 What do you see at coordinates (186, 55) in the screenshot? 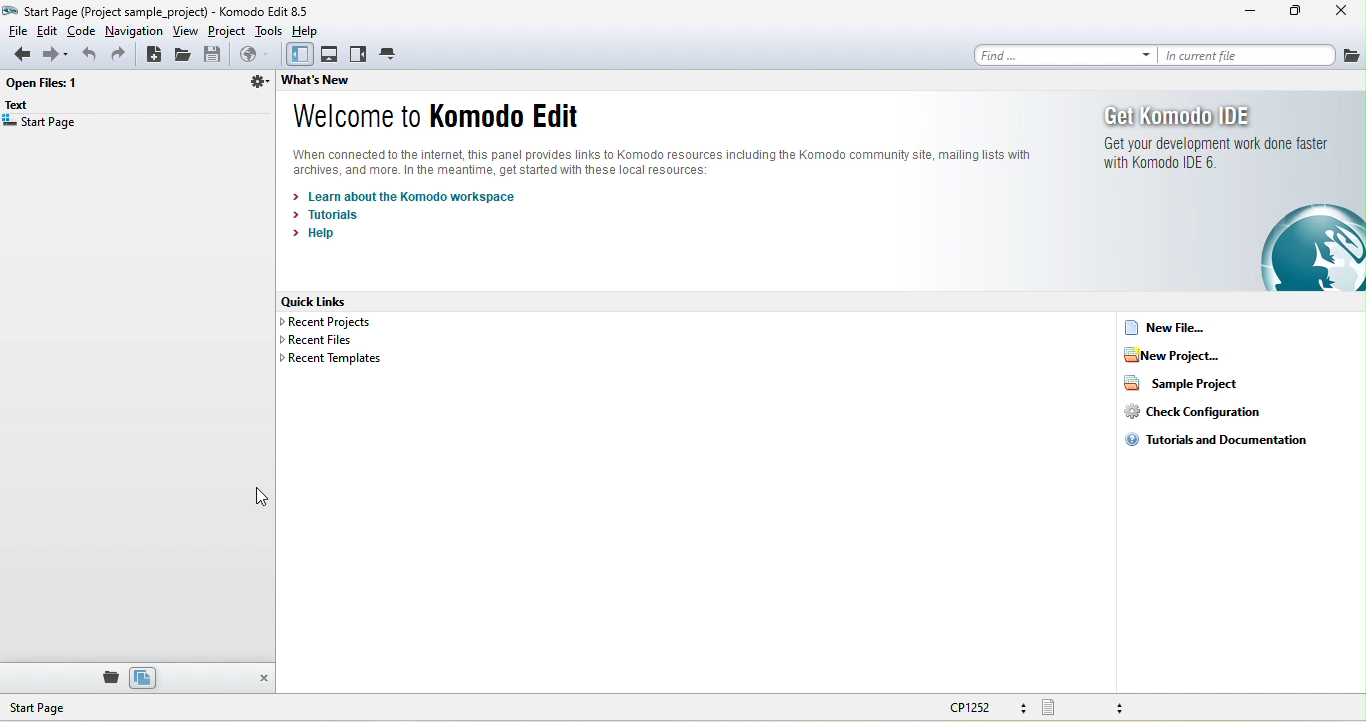
I see `open` at bounding box center [186, 55].